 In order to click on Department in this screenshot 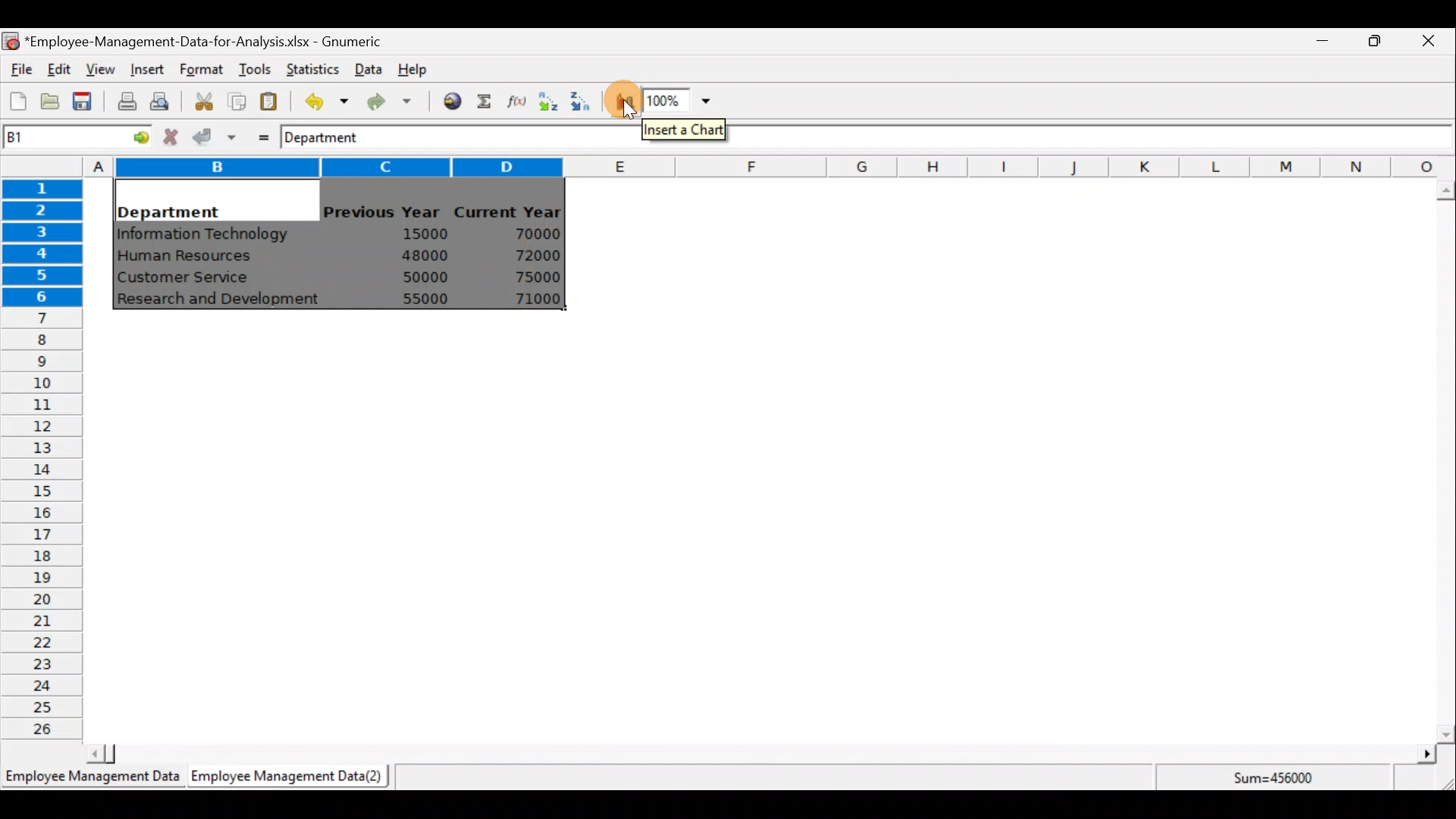, I will do `click(331, 136)`.